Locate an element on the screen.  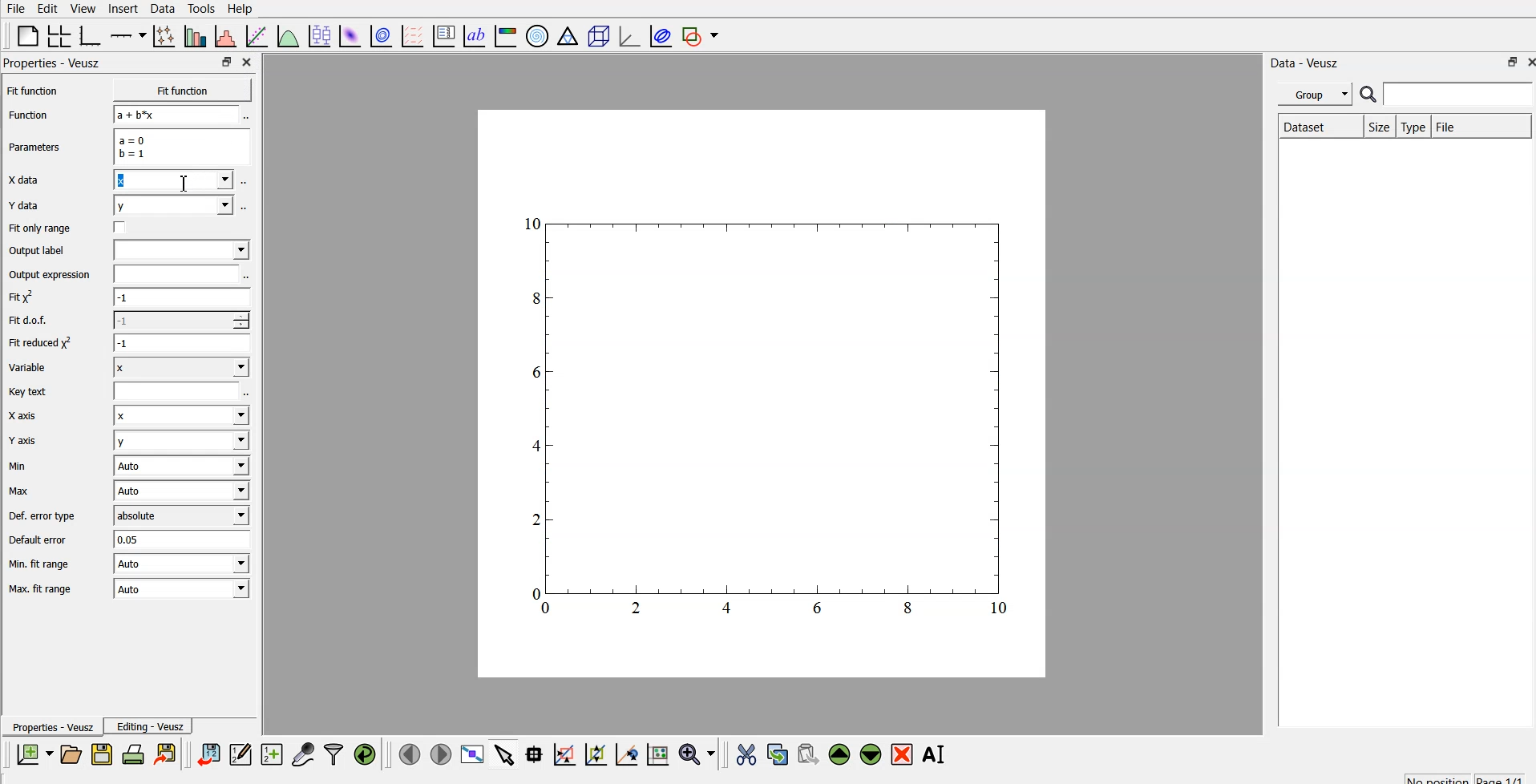
| Fit reduced x^2 is located at coordinates (39, 342).